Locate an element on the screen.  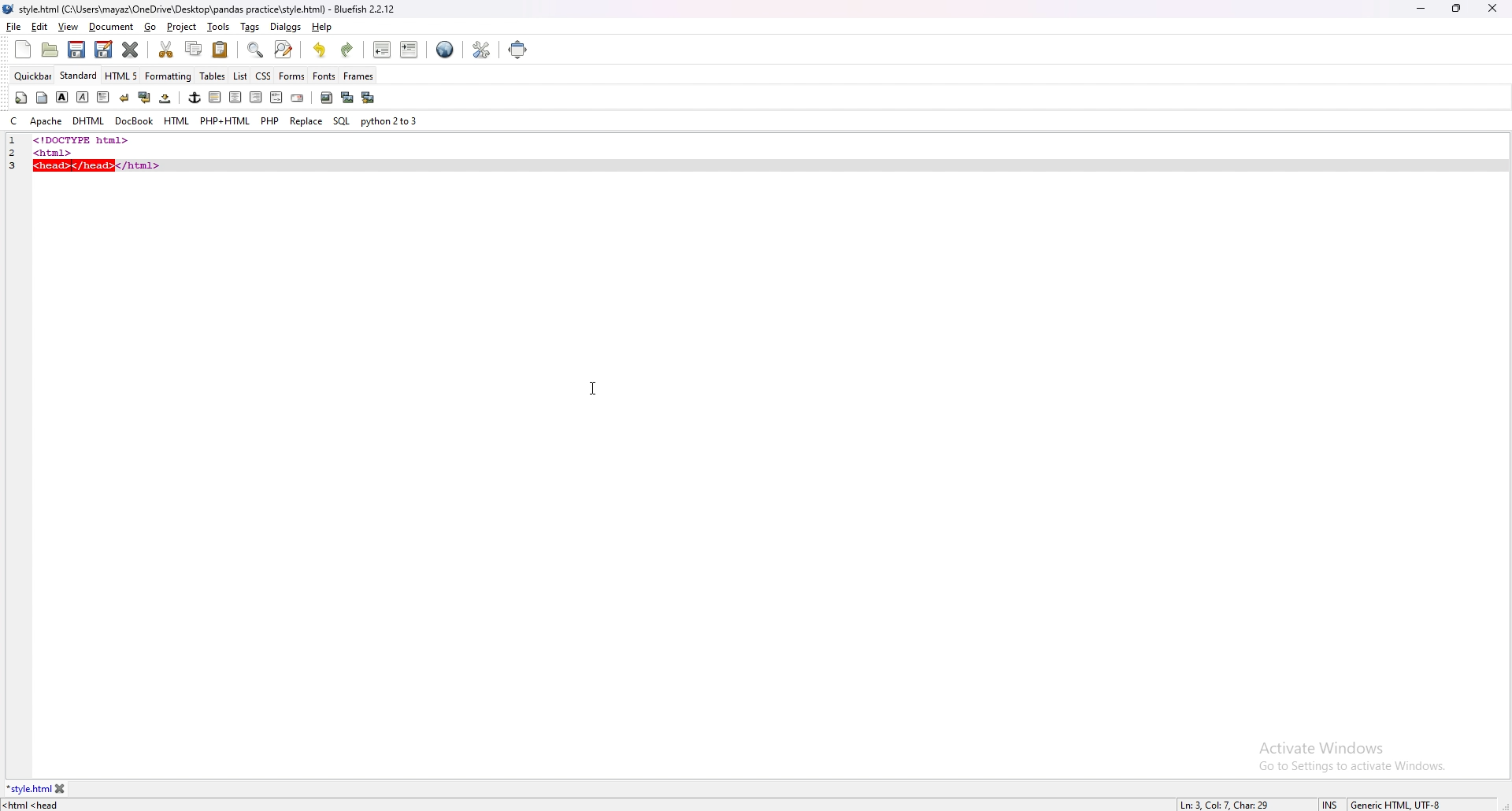
formatting is located at coordinates (169, 76).